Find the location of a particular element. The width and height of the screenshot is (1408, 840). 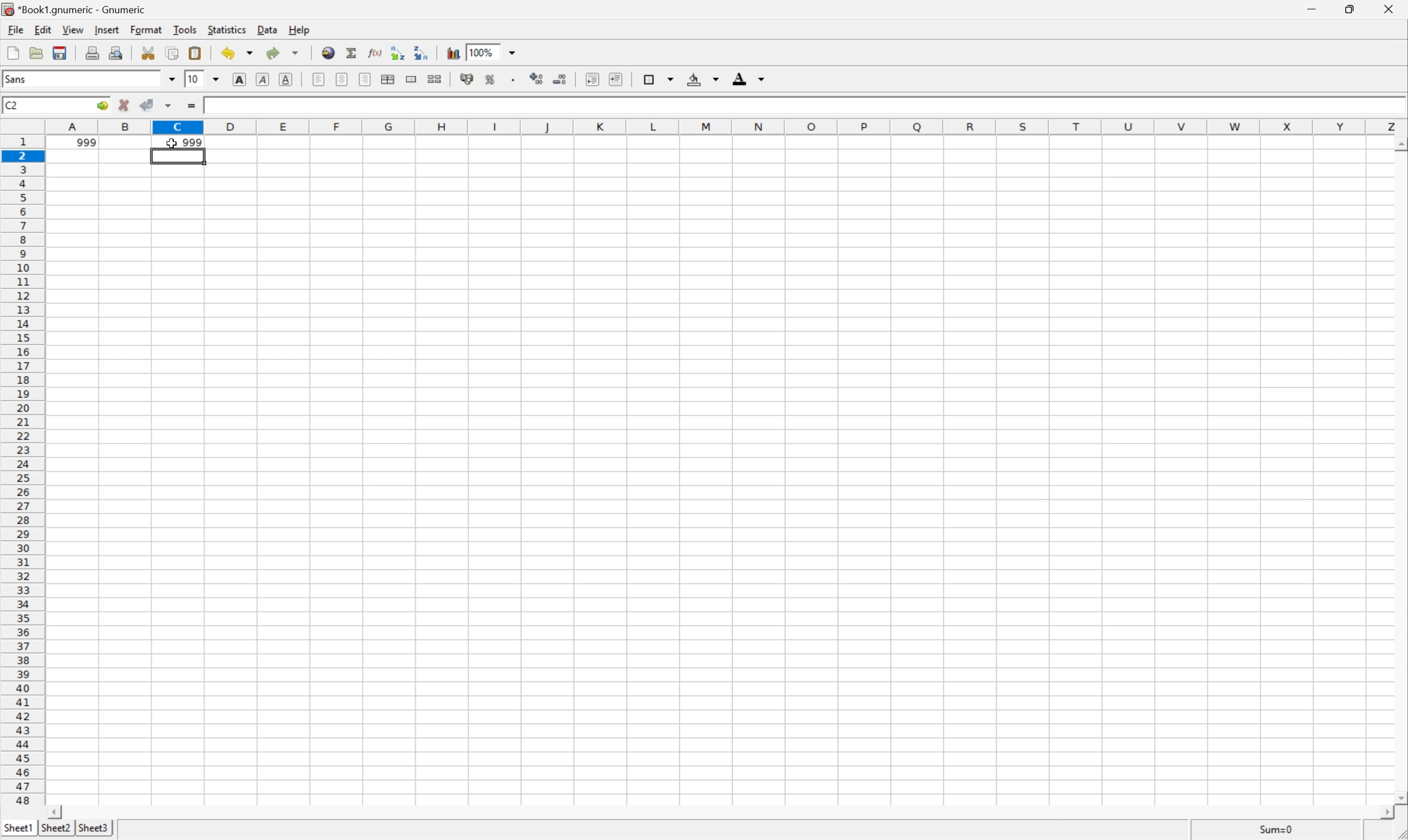

scroll down is located at coordinates (1399, 799).